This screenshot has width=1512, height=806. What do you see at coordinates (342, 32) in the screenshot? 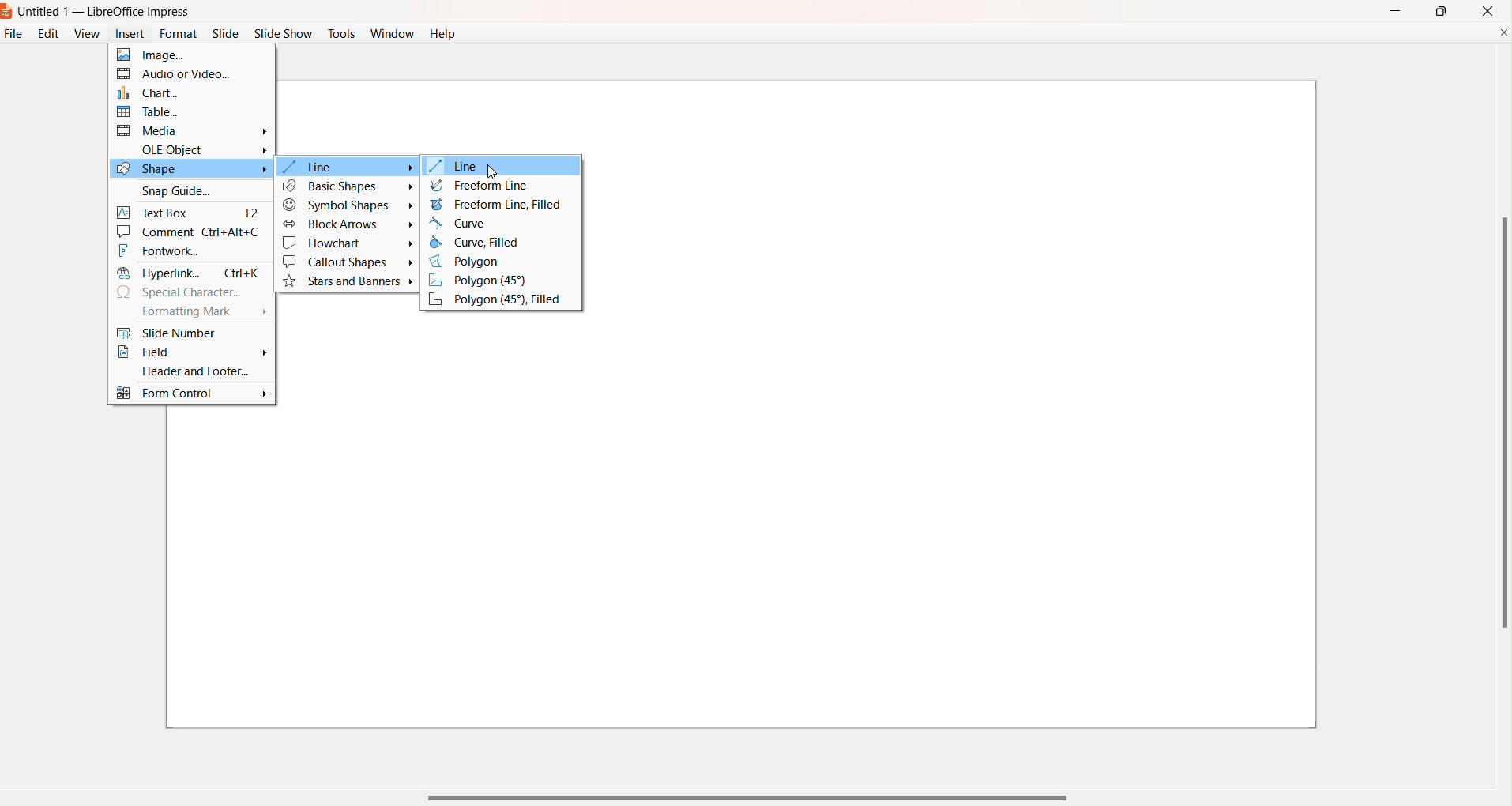
I see `Tools` at bounding box center [342, 32].